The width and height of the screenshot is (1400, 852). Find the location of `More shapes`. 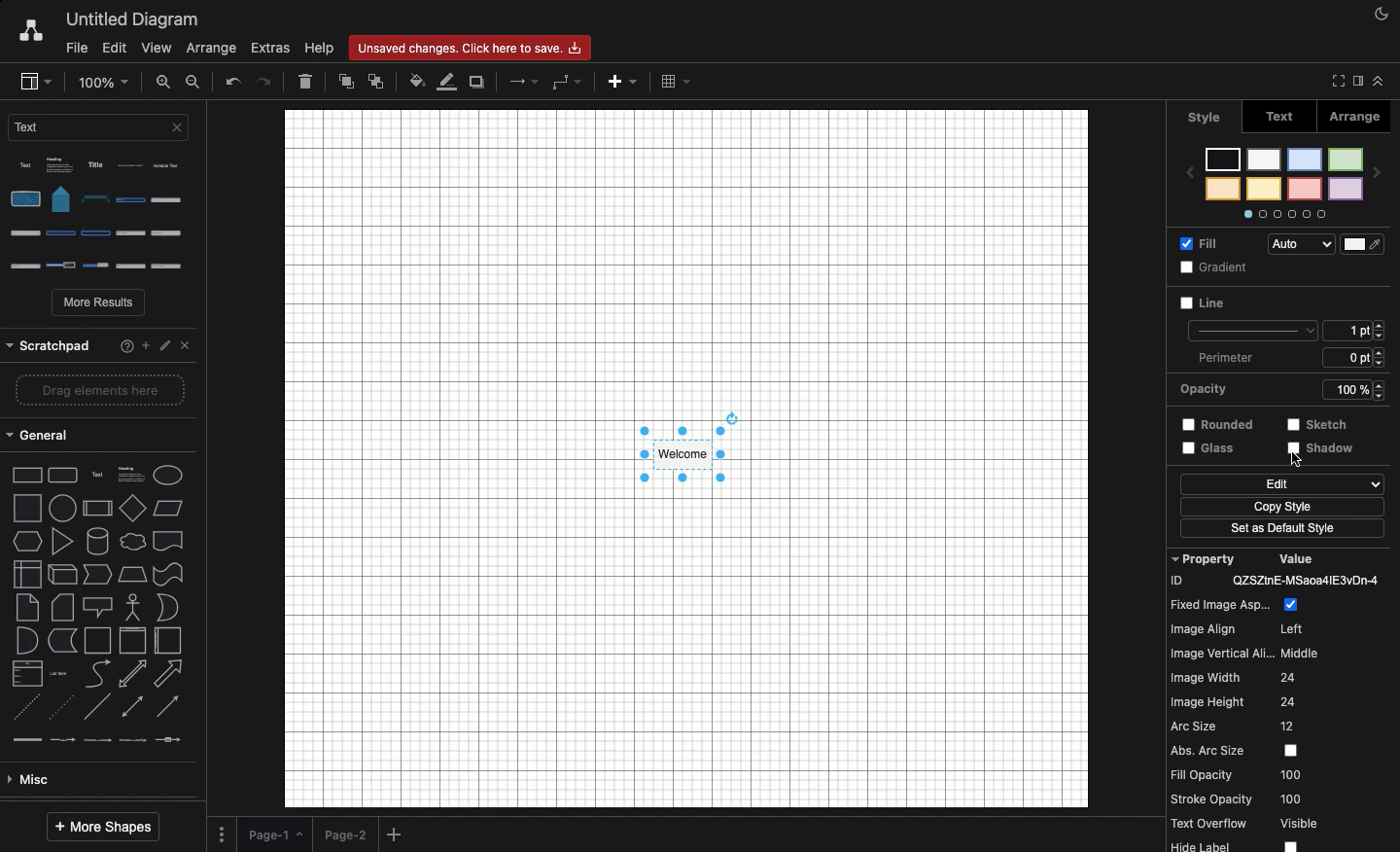

More shapes is located at coordinates (102, 828).